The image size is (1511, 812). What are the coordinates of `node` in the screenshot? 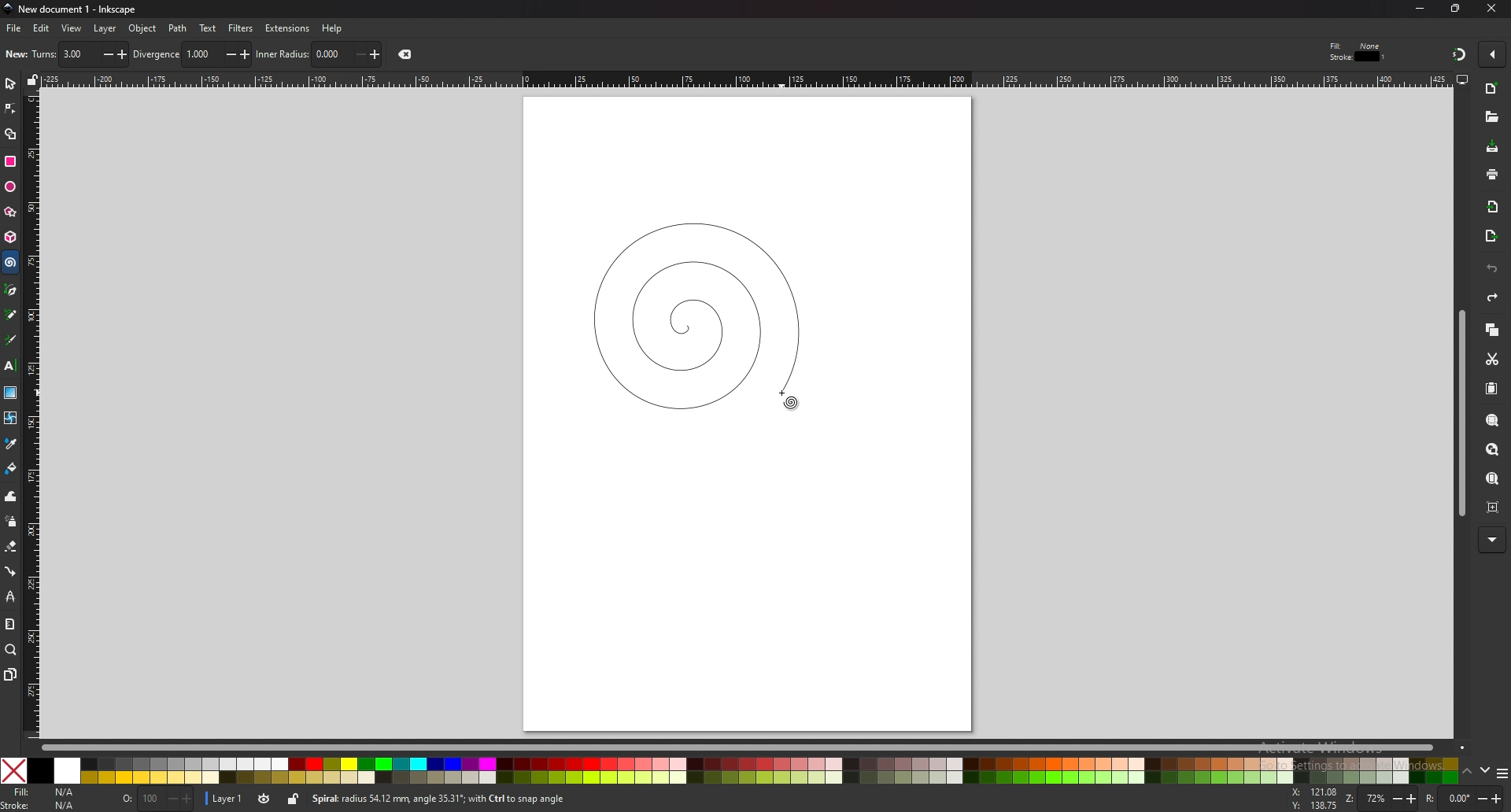 It's located at (10, 109).